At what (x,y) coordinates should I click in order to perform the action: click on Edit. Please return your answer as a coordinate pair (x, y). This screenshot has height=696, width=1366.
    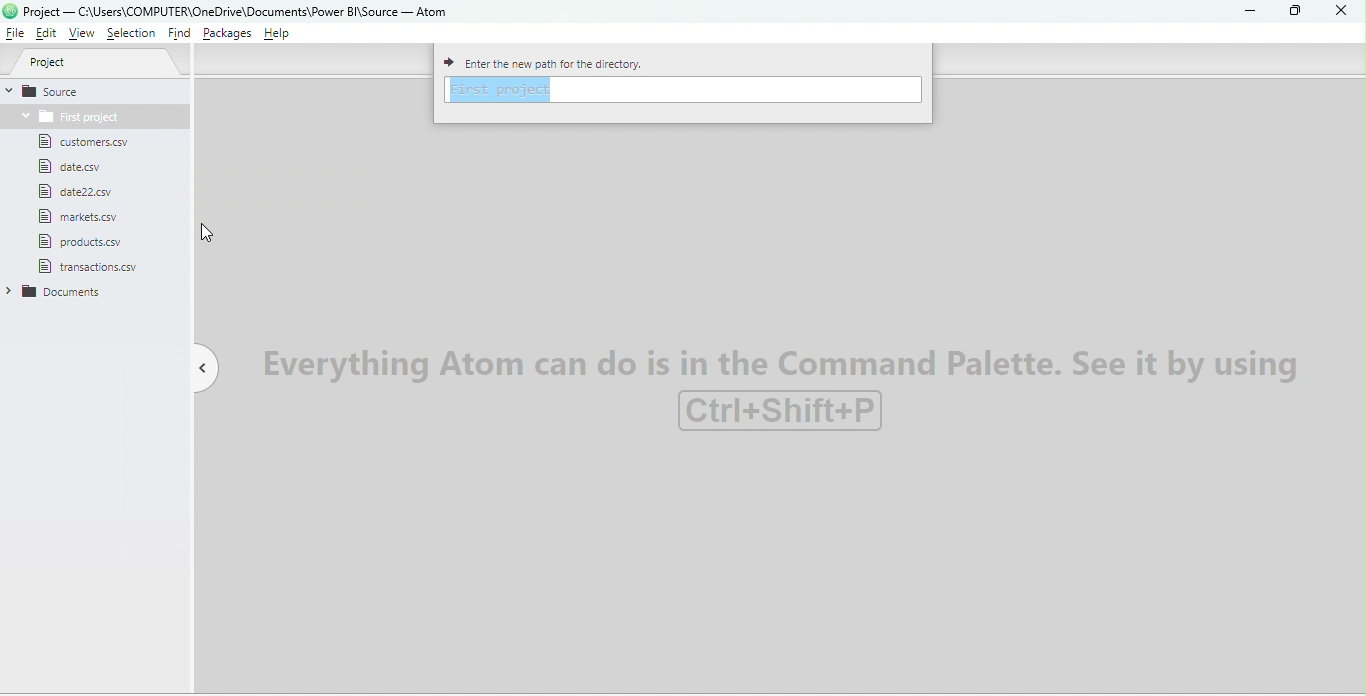
    Looking at the image, I should click on (49, 35).